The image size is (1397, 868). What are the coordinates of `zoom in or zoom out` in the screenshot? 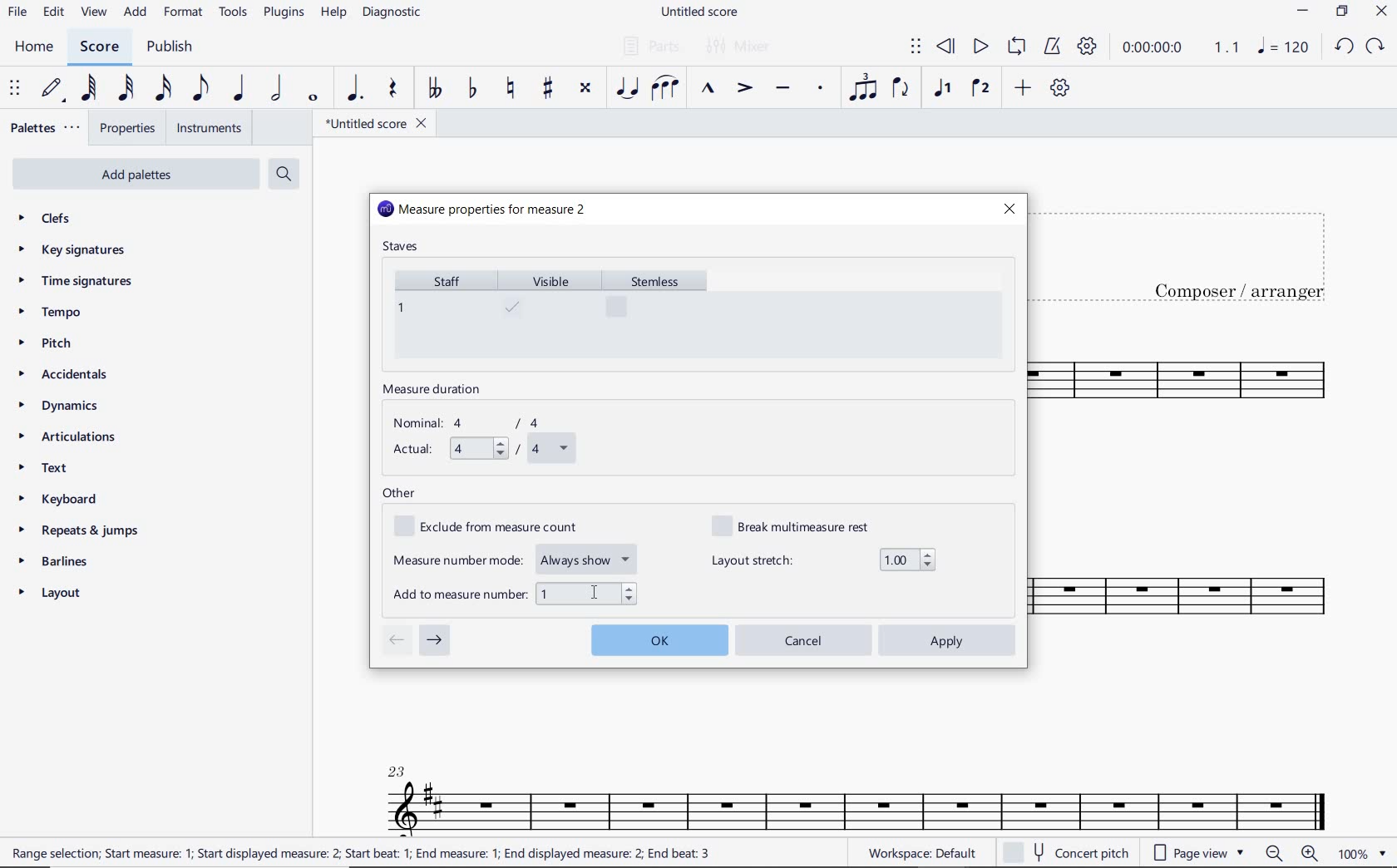 It's located at (1294, 855).